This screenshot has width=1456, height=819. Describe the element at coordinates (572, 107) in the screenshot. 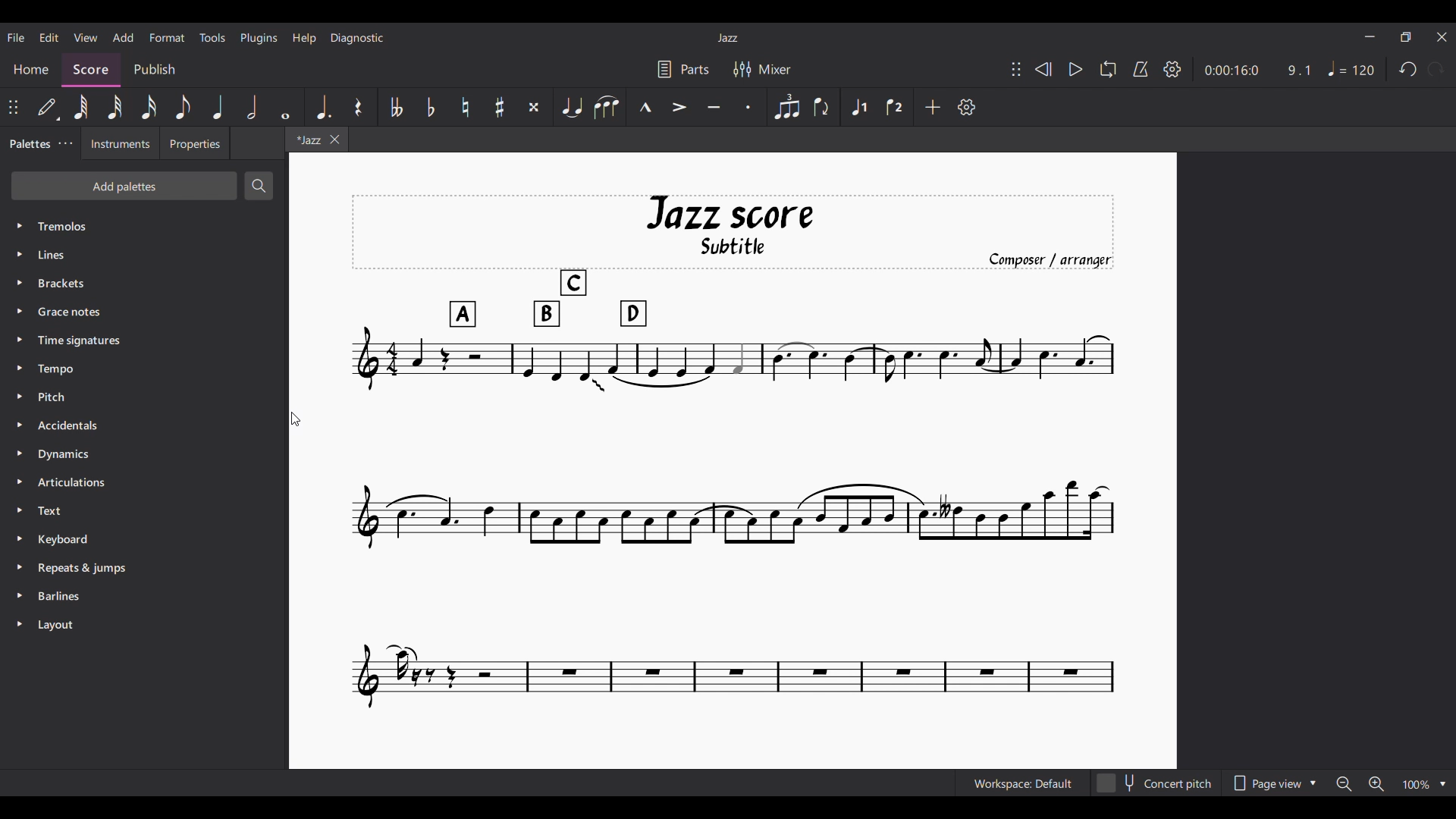

I see `Tie` at that location.